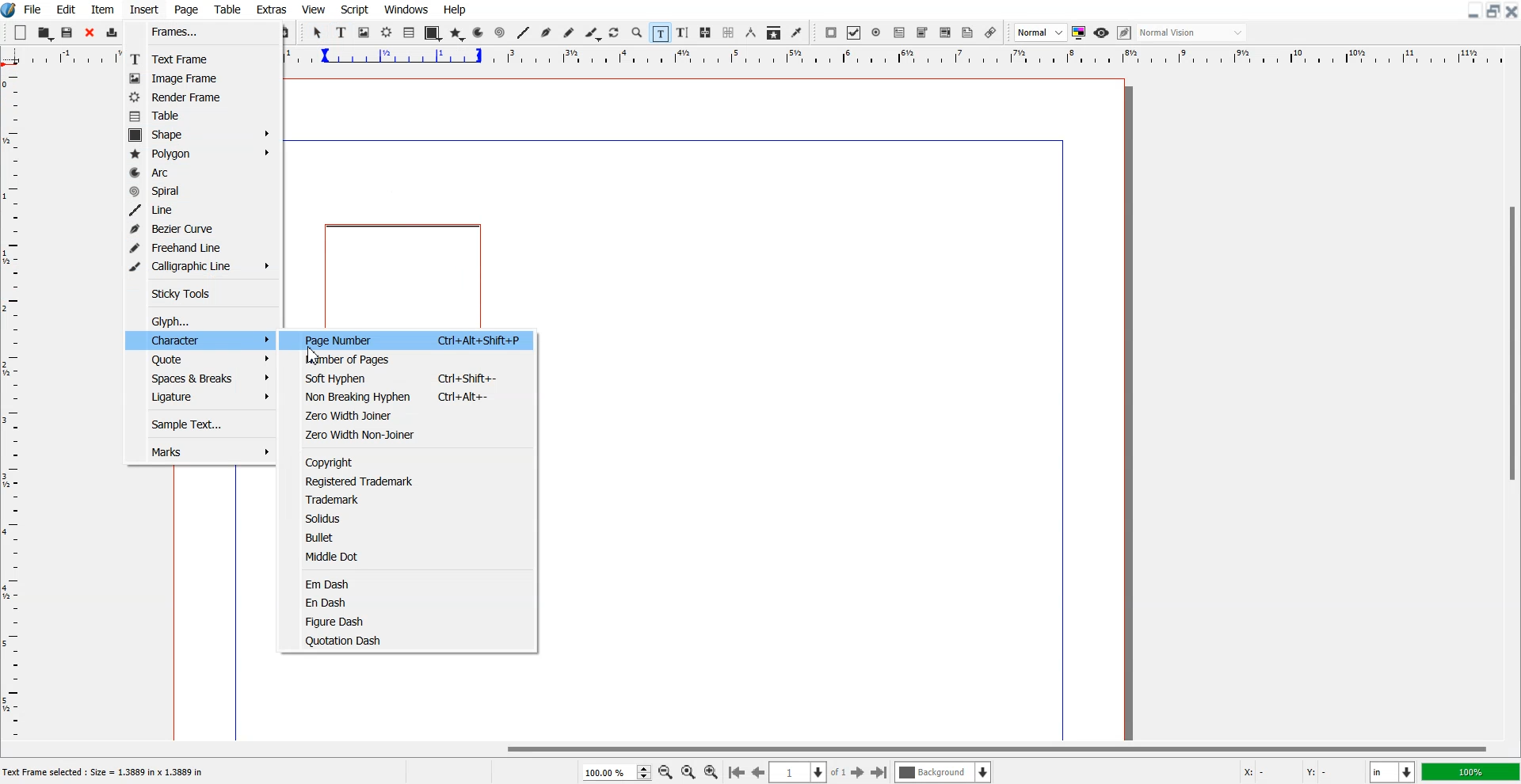 The image size is (1521, 784). Describe the element at coordinates (666, 773) in the screenshot. I see `Zoom Out` at that location.